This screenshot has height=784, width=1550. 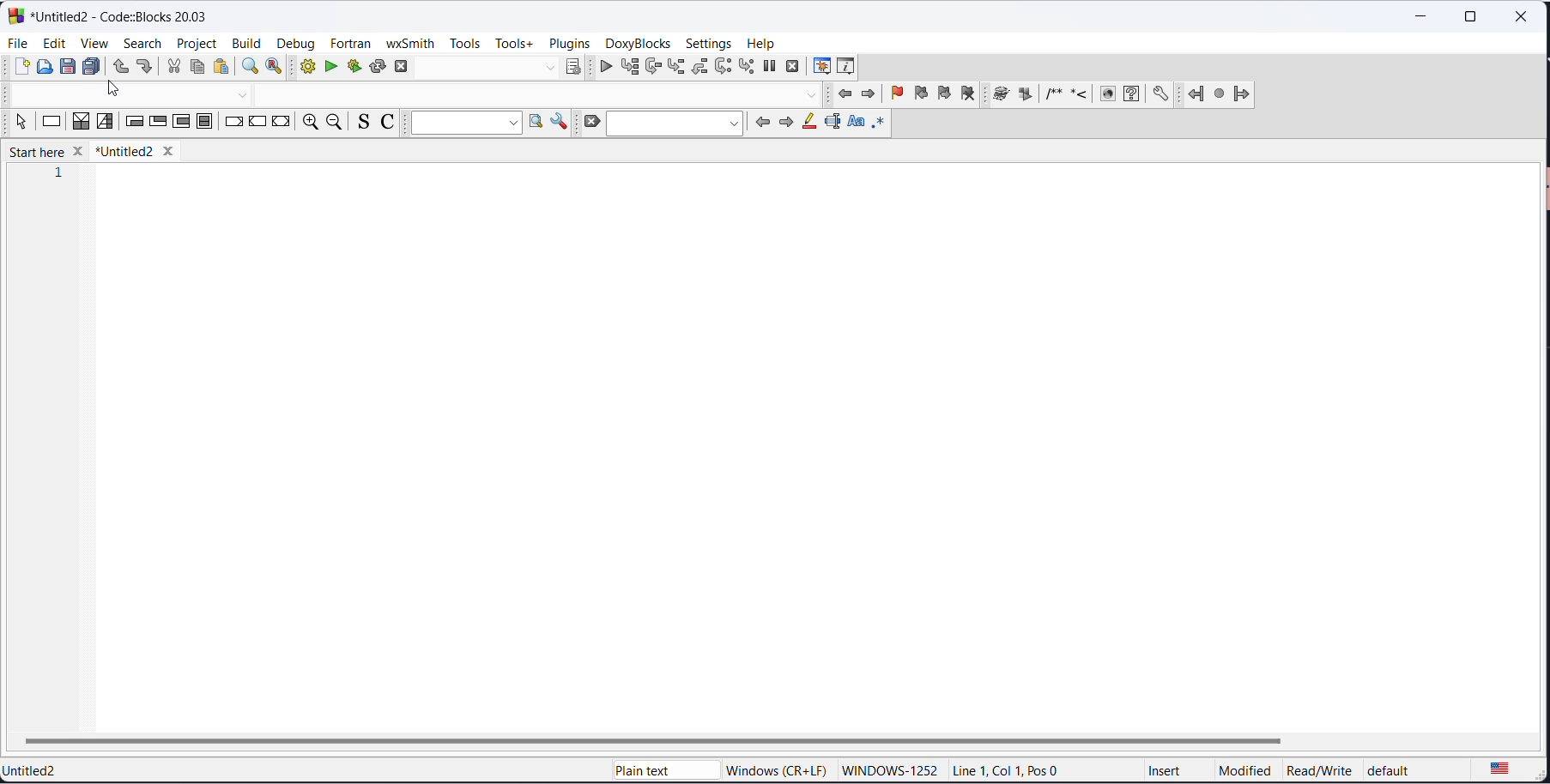 I want to click on save all, so click(x=92, y=68).